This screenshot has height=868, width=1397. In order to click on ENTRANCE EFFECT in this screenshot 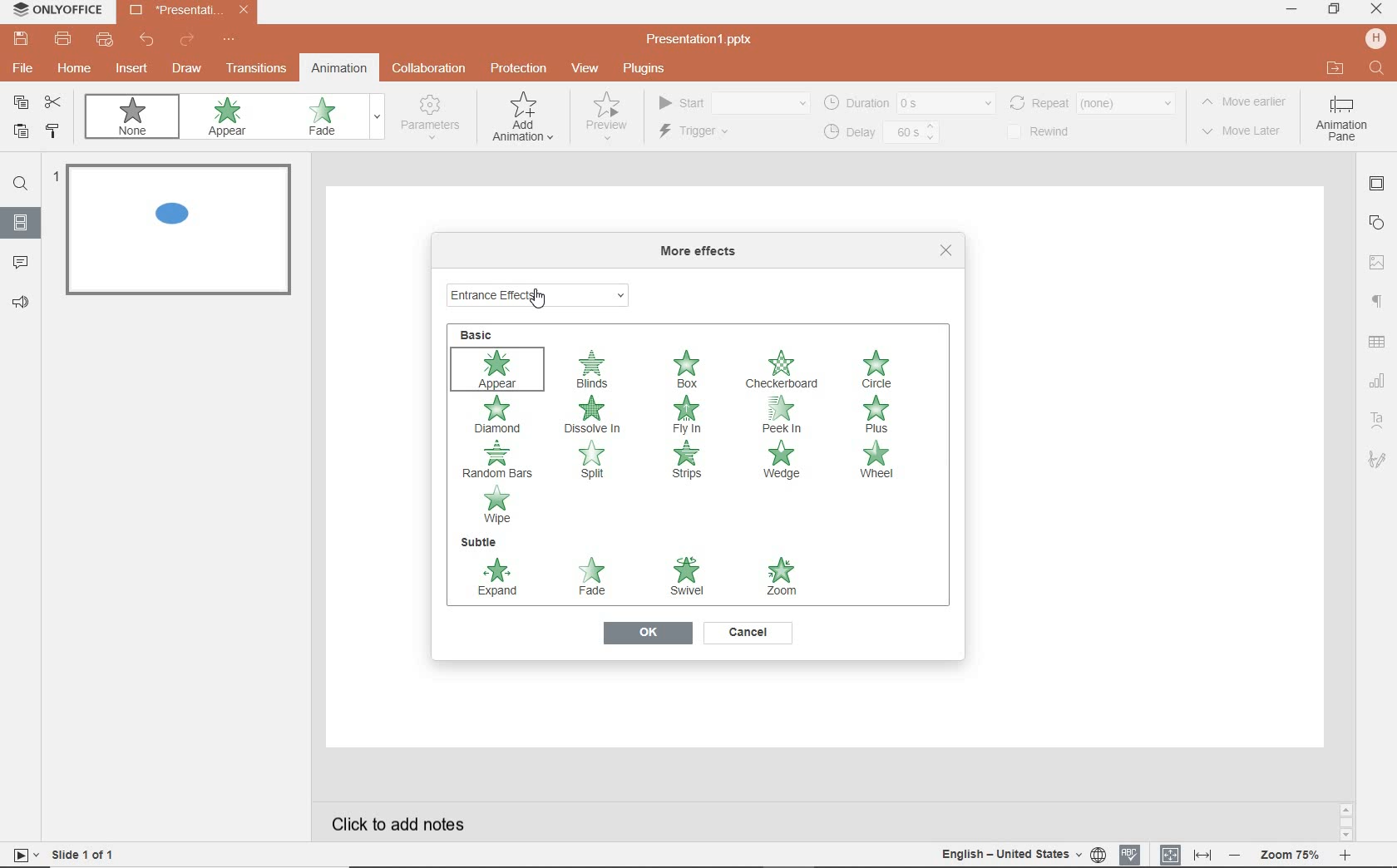, I will do `click(541, 293)`.